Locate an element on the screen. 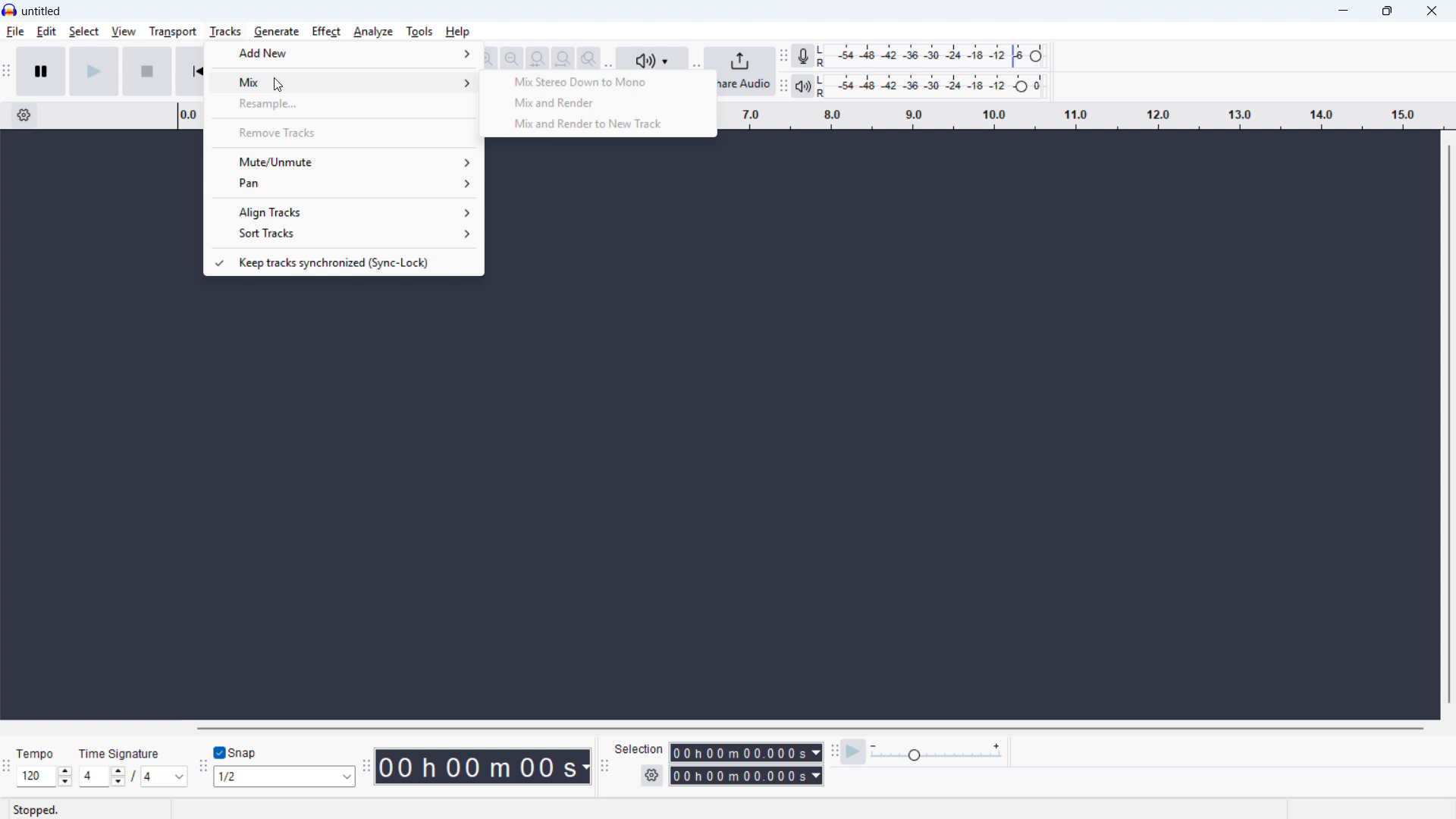 Image resolution: width=1456 pixels, height=819 pixels. Mix and render to new track  is located at coordinates (598, 125).